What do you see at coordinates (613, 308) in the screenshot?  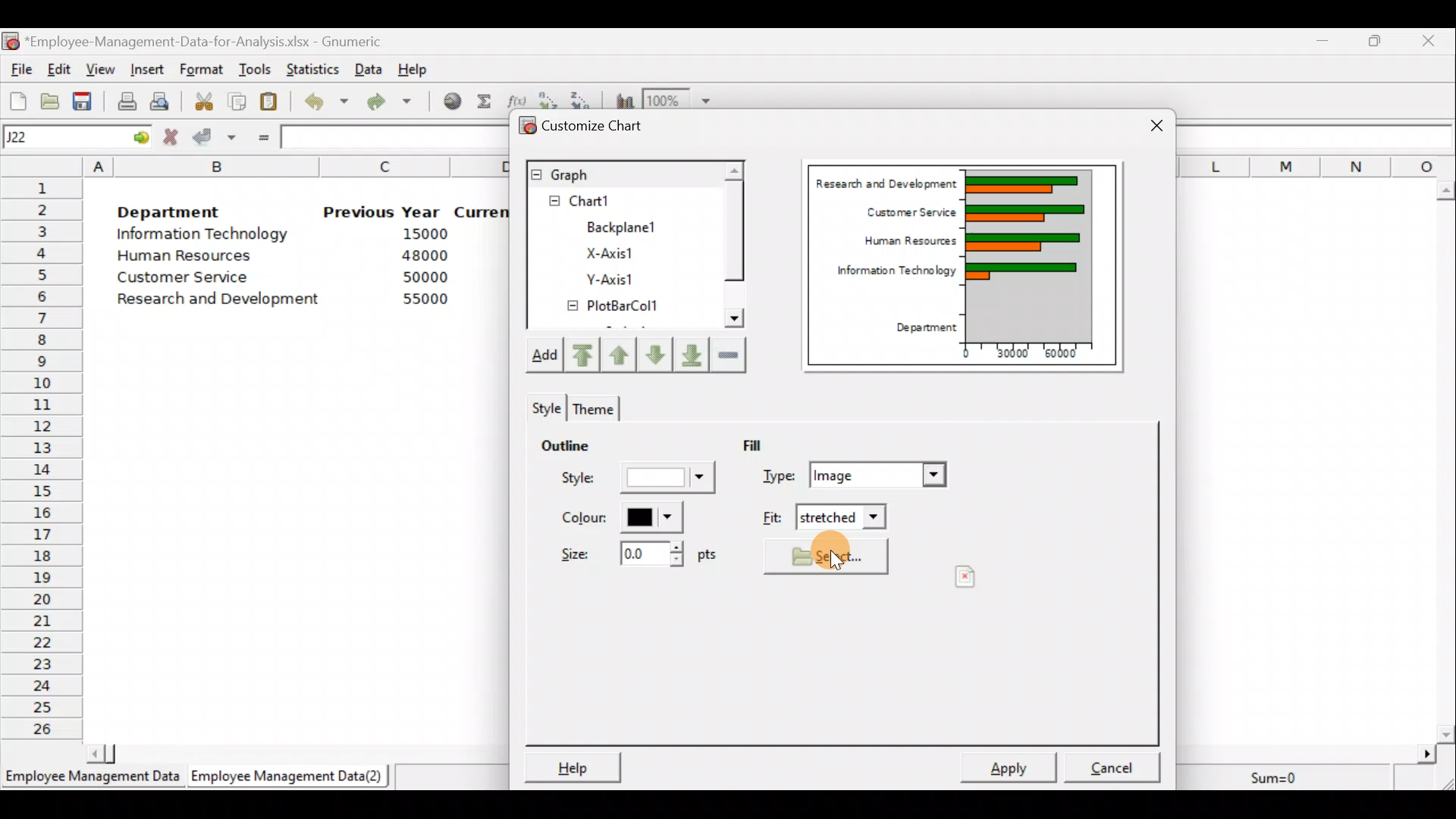 I see `PlotBarCol1` at bounding box center [613, 308].